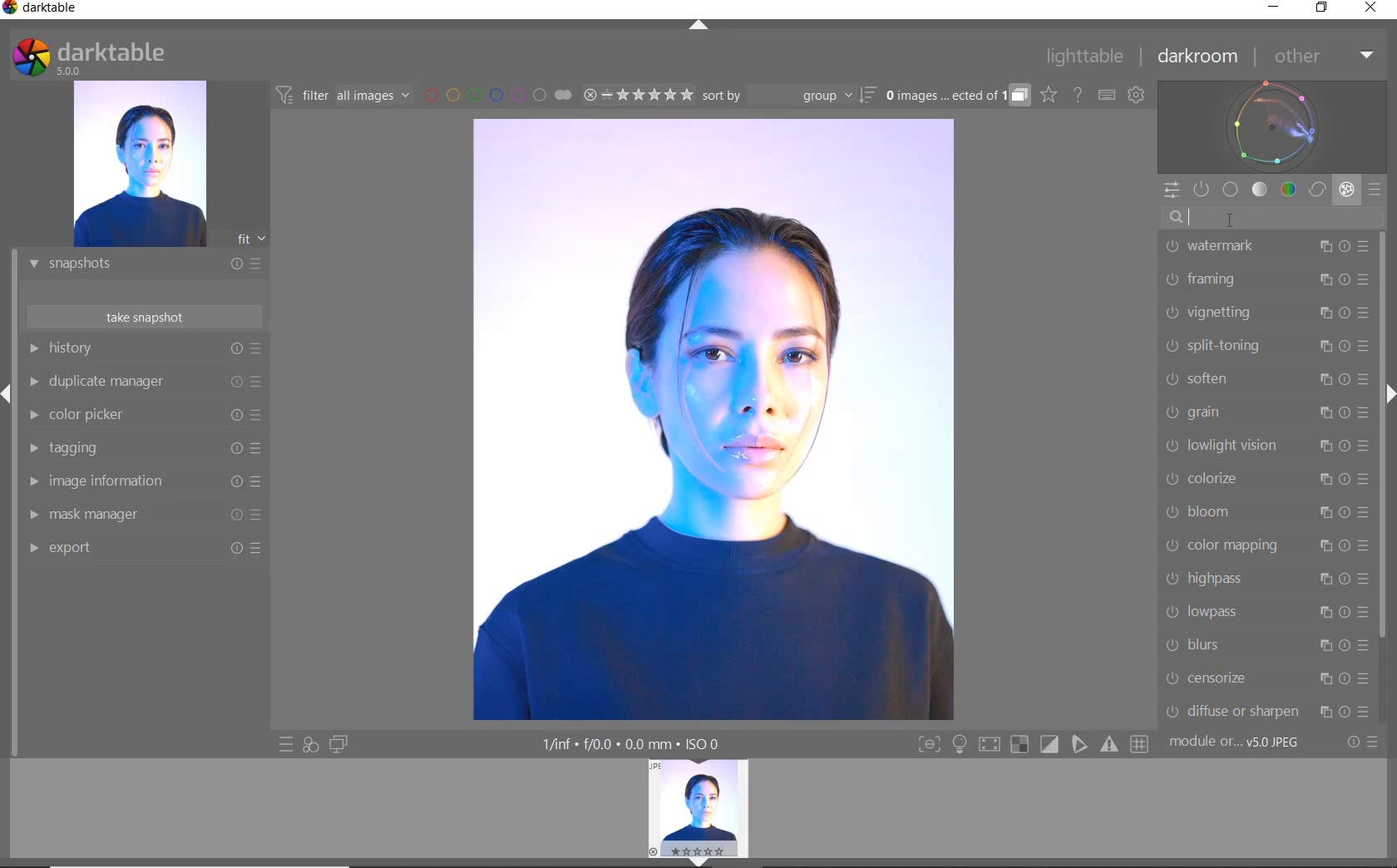 This screenshot has width=1397, height=868. I want to click on HISTORY, so click(146, 352).